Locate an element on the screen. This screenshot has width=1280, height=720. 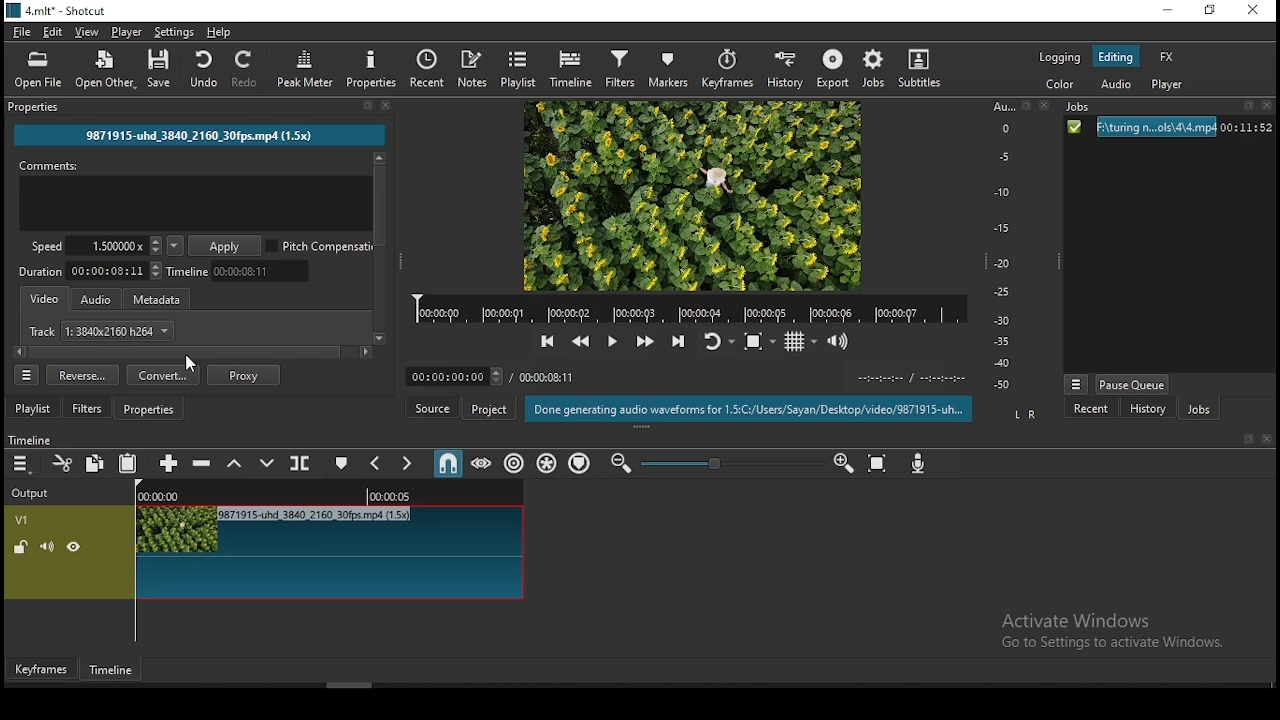
convert is located at coordinates (162, 375).